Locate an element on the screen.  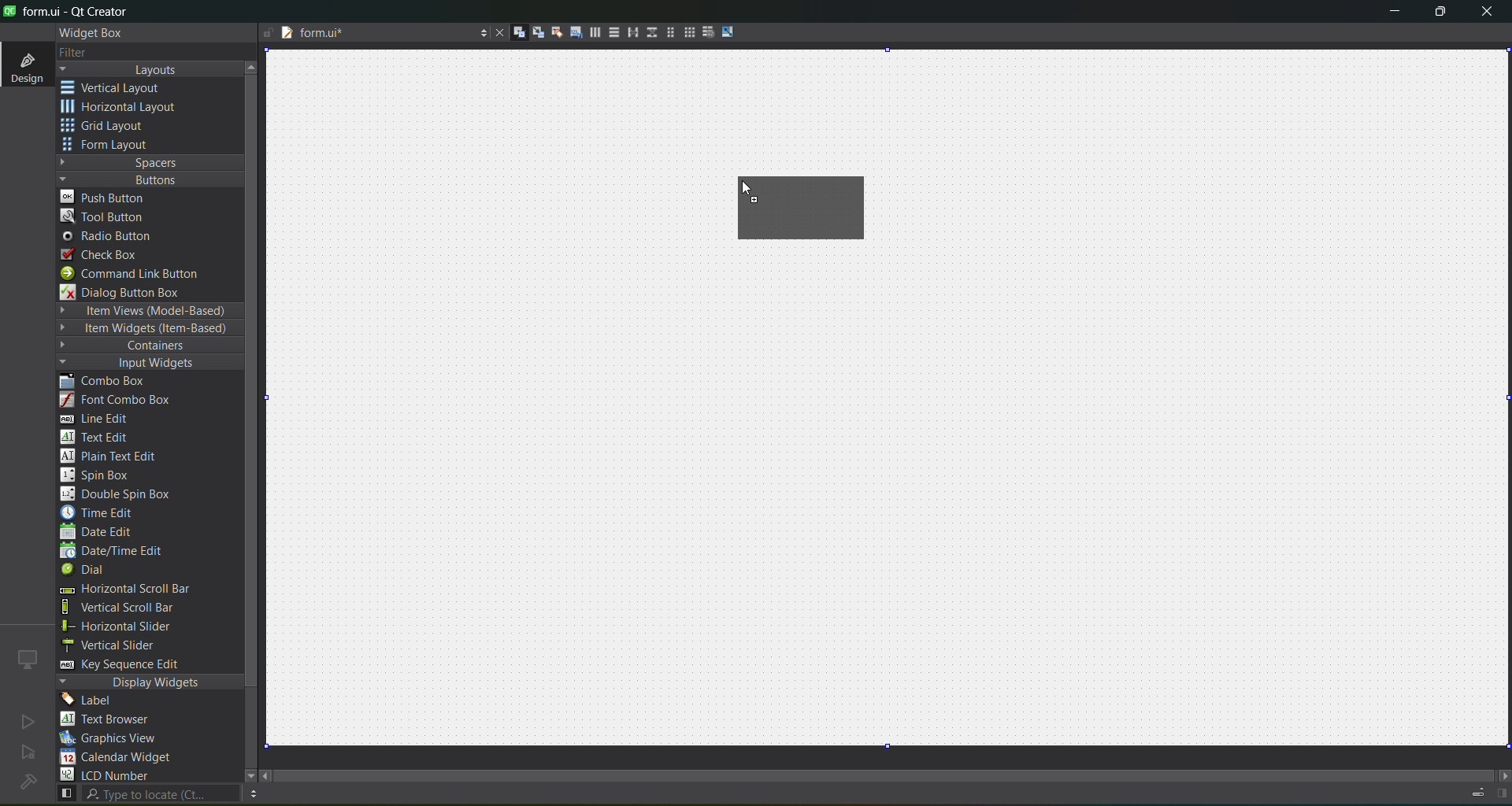
search is located at coordinates (146, 794).